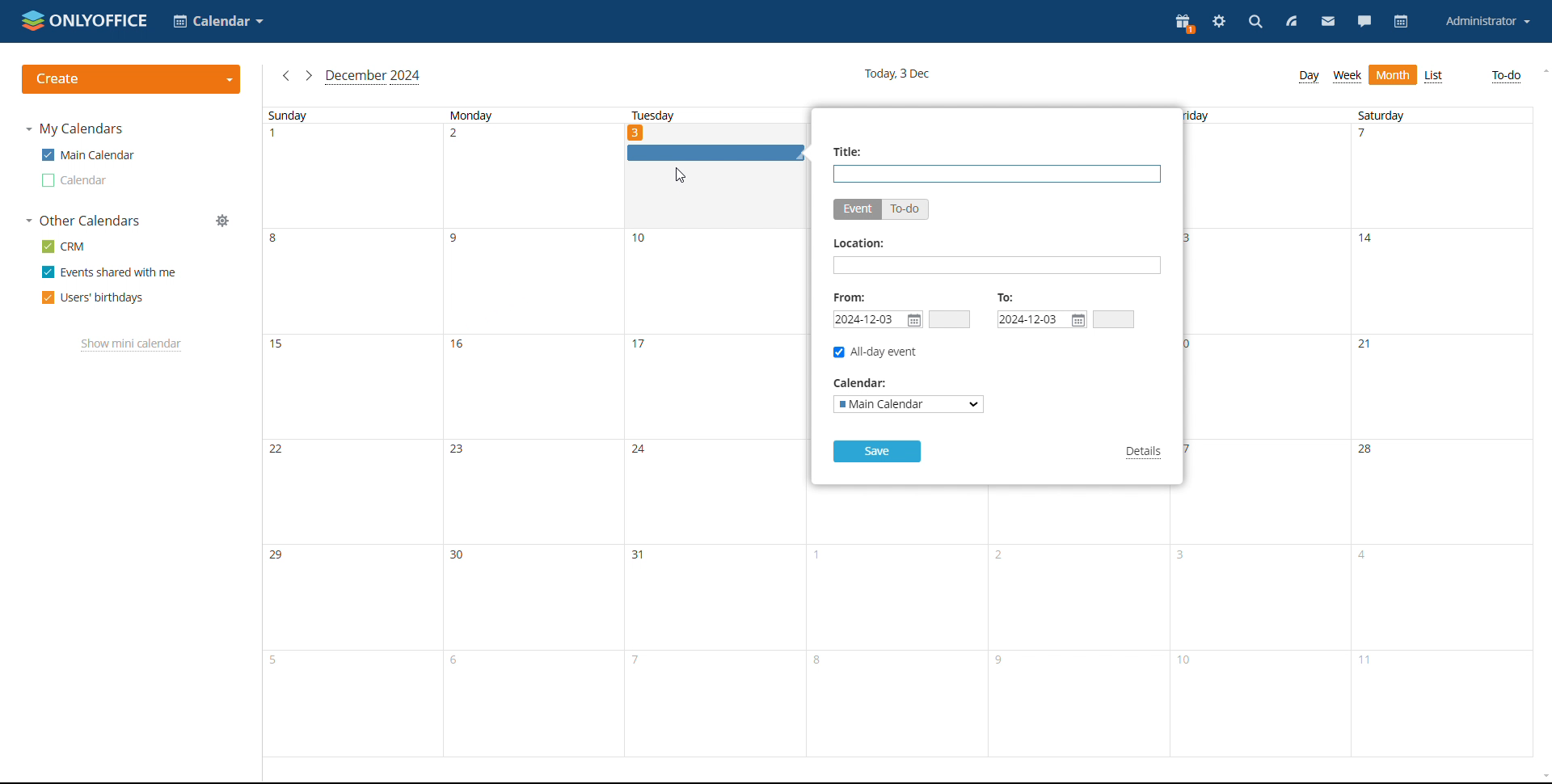 The image size is (1552, 784). What do you see at coordinates (865, 242) in the screenshot?
I see `location:` at bounding box center [865, 242].